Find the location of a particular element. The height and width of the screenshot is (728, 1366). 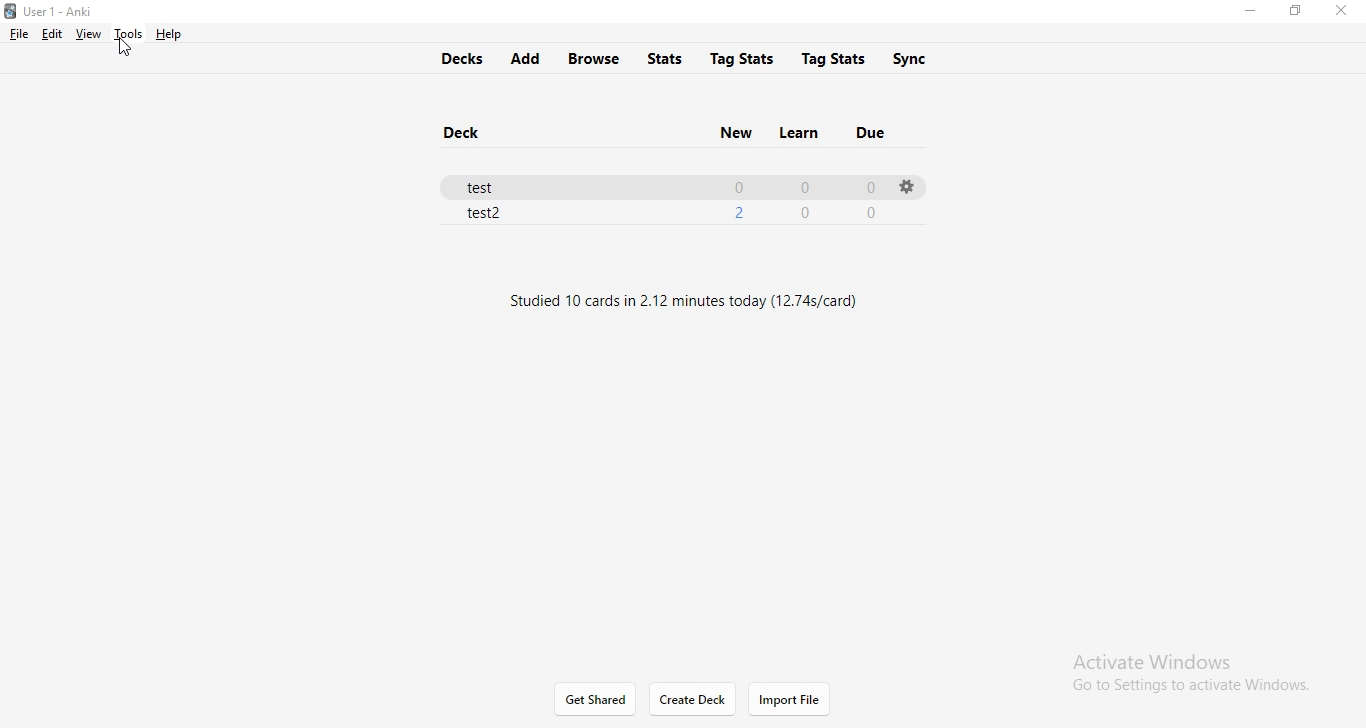

tools is located at coordinates (128, 32).